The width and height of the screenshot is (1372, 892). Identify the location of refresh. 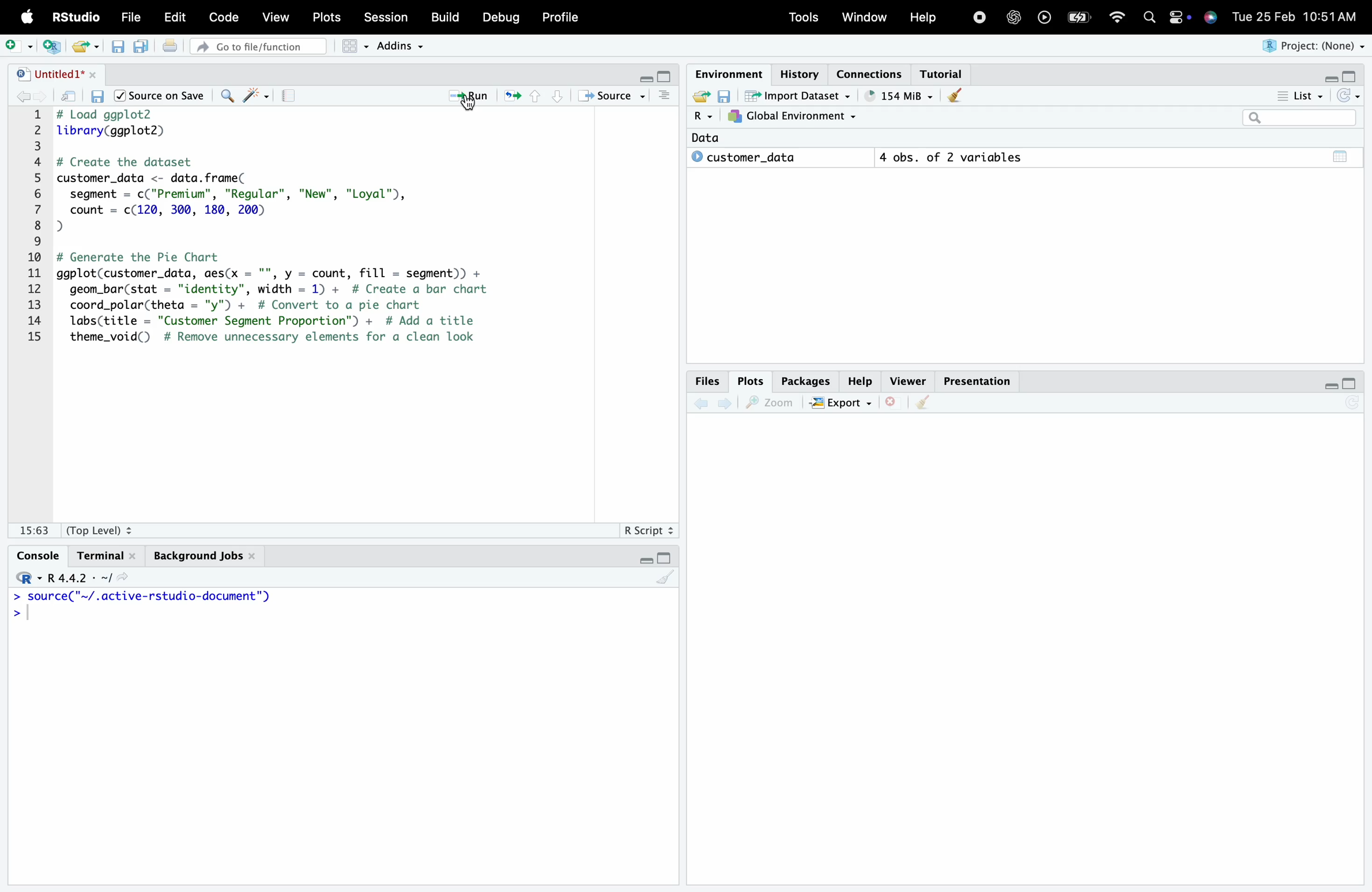
(511, 97).